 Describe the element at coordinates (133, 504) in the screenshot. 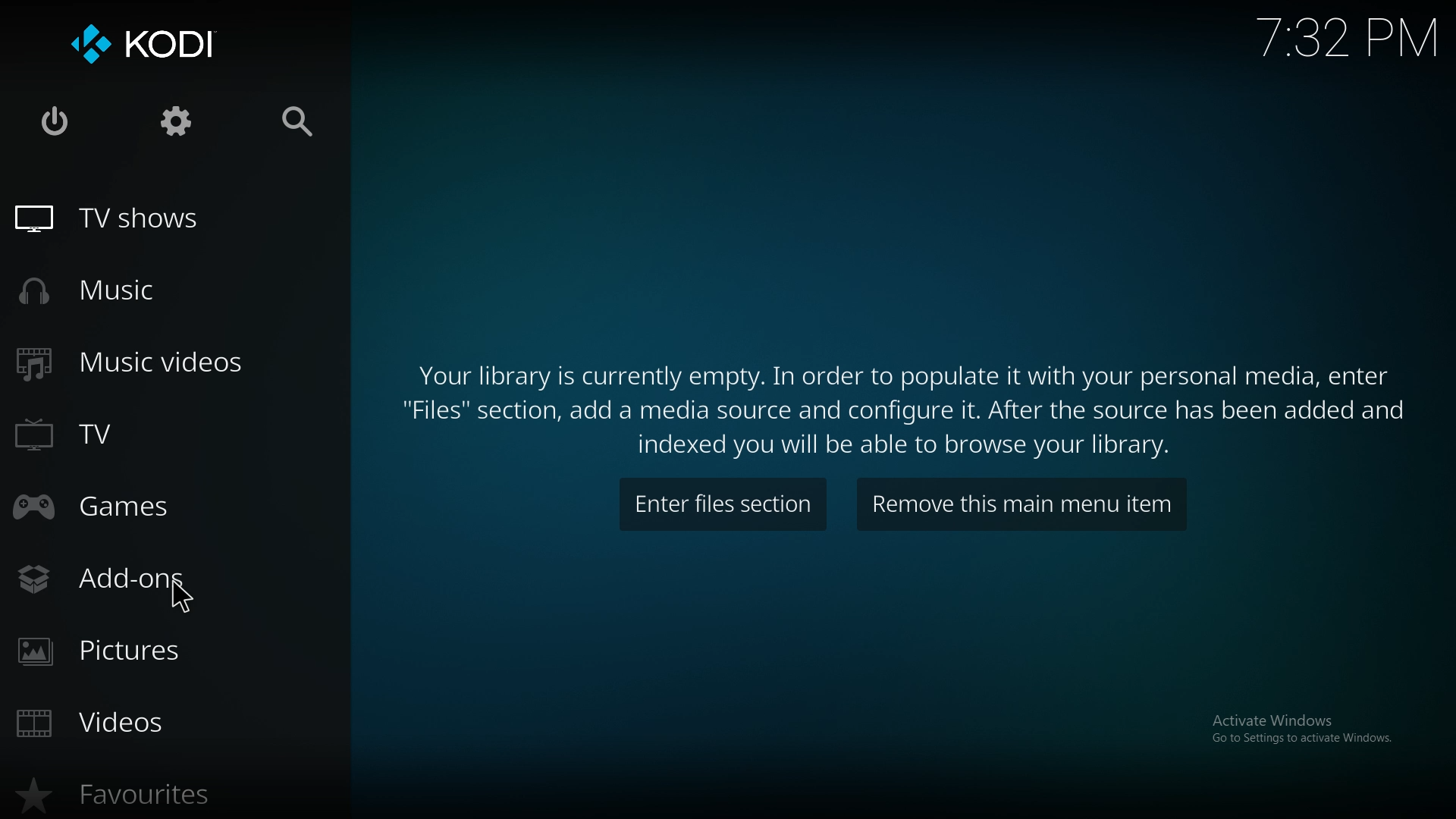

I see `games` at that location.